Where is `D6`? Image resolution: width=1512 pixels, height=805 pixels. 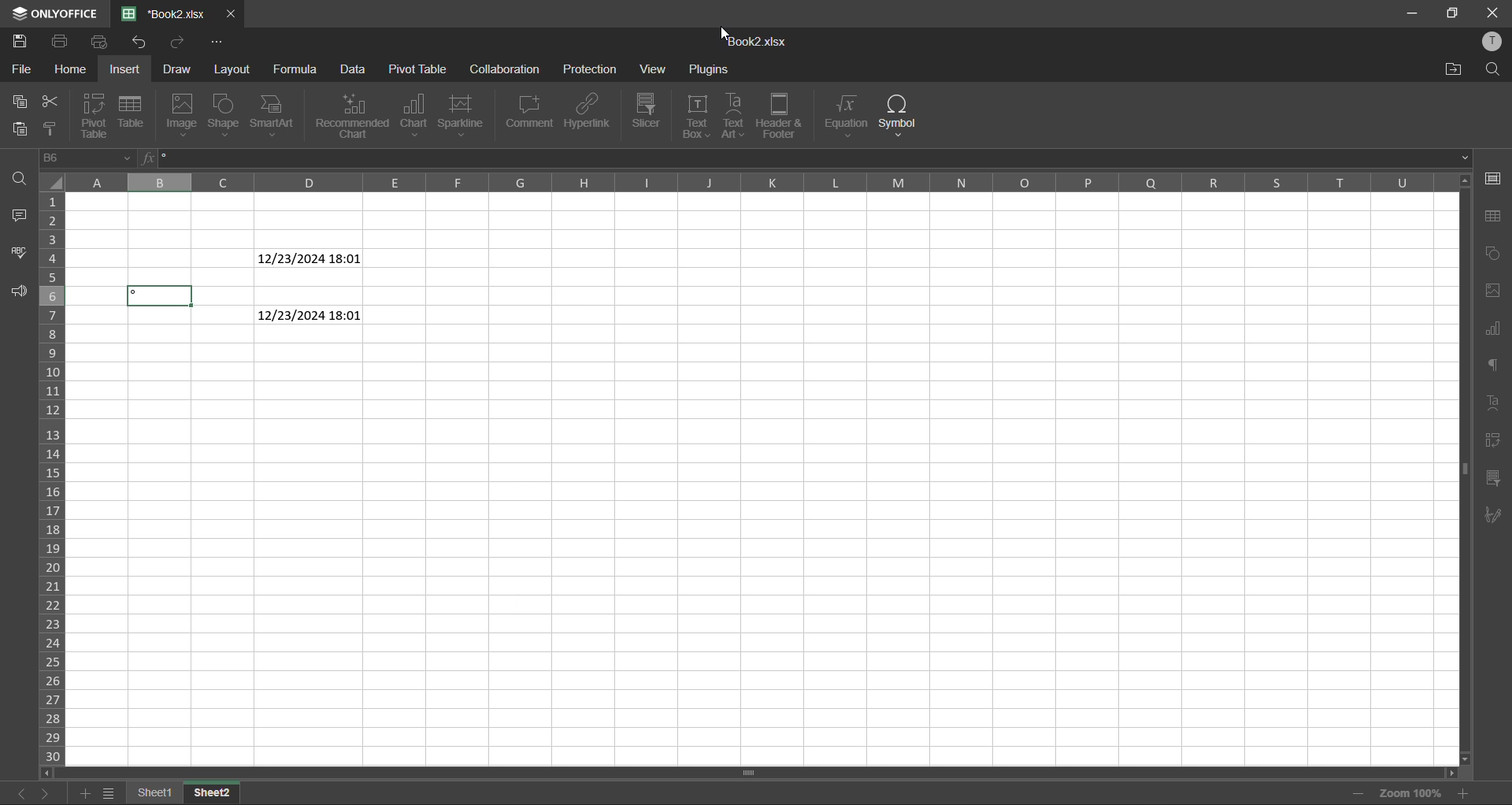 D6 is located at coordinates (88, 158).